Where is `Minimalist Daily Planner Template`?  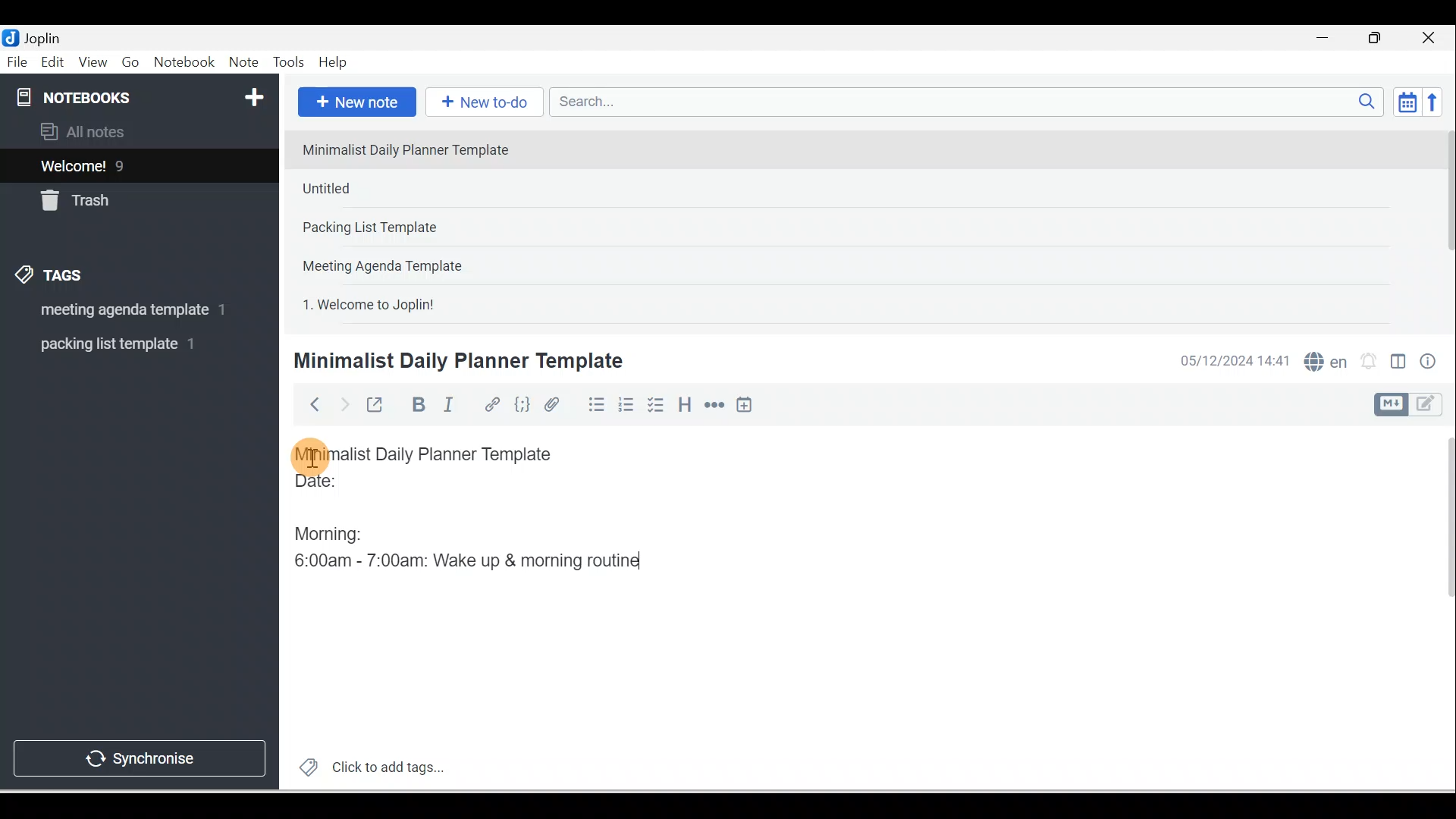 Minimalist Daily Planner Template is located at coordinates (456, 361).